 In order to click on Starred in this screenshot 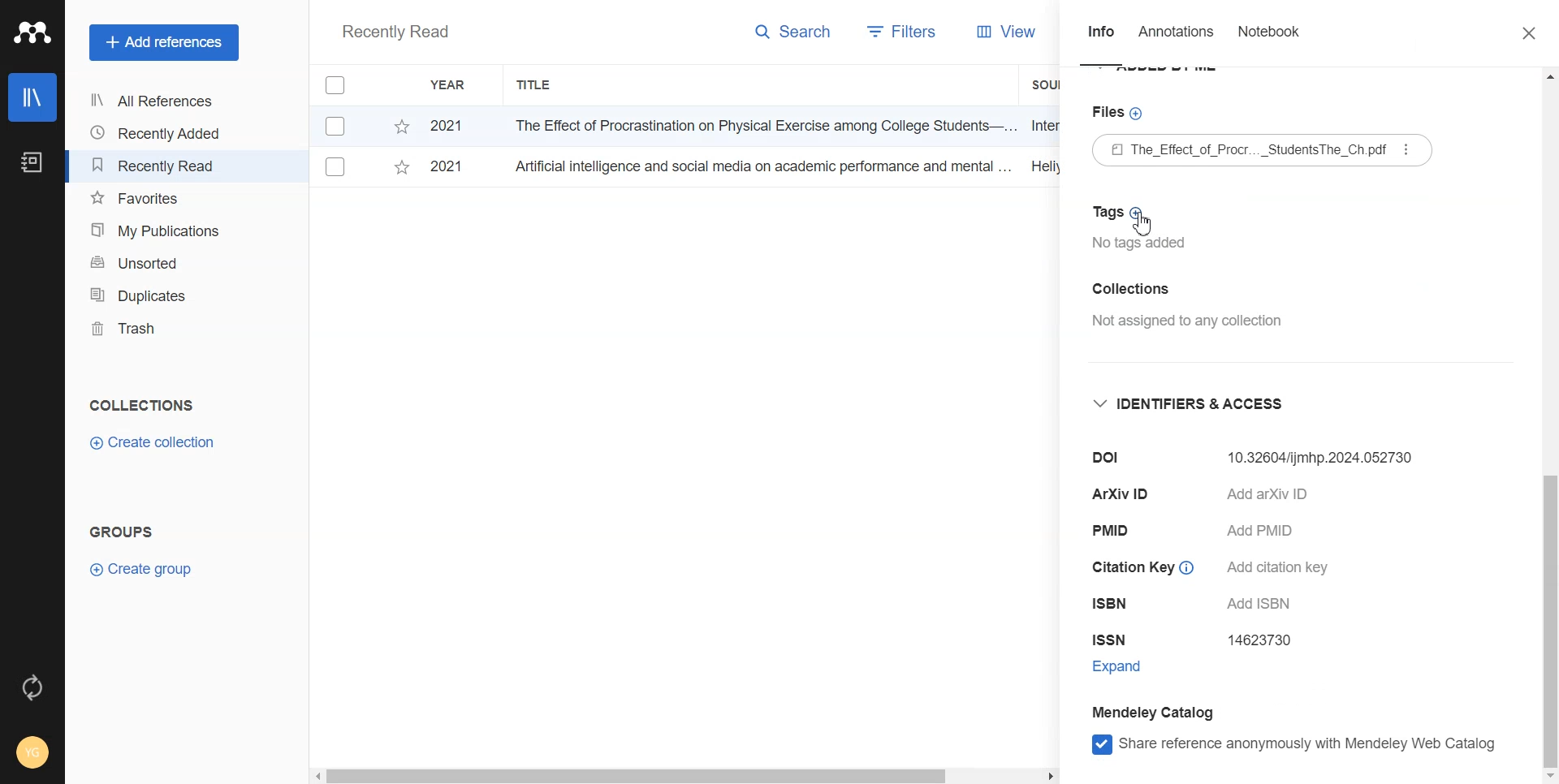, I will do `click(401, 170)`.